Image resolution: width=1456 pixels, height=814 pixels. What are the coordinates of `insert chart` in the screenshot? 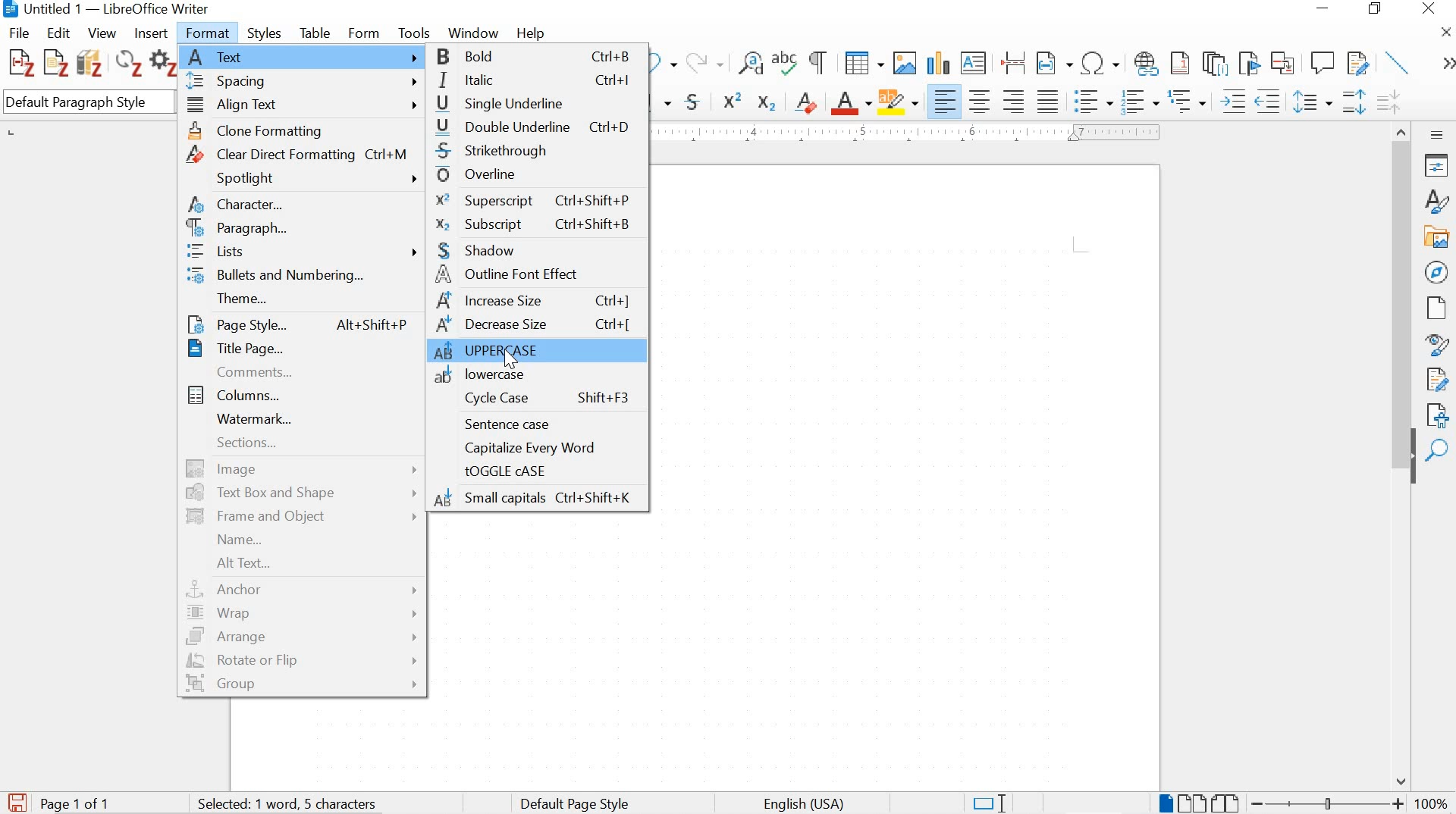 It's located at (937, 64).